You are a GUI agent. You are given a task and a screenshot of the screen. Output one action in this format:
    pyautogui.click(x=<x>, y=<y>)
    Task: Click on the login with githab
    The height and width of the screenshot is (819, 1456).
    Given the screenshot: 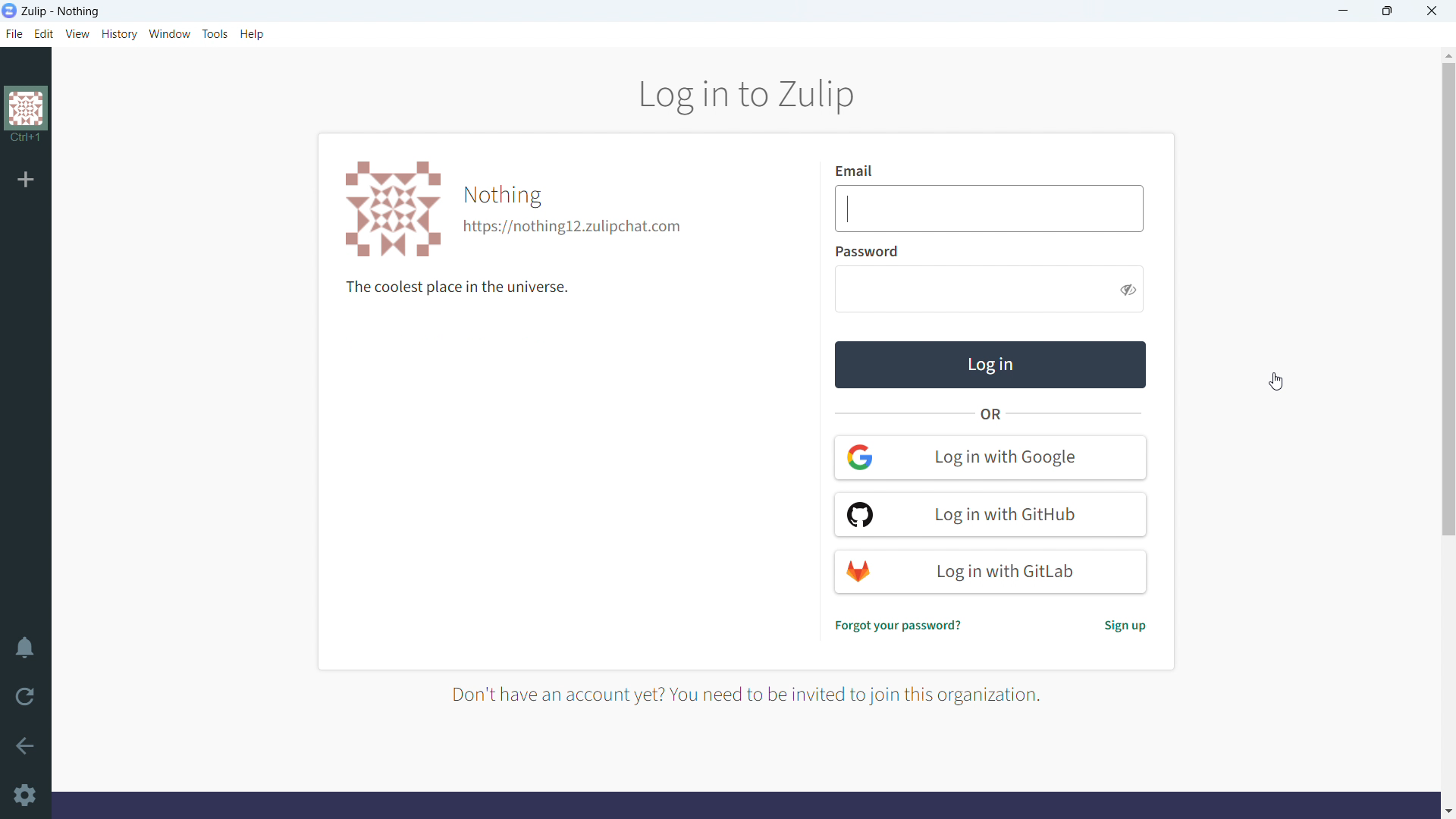 What is the action you would take?
    pyautogui.click(x=990, y=515)
    